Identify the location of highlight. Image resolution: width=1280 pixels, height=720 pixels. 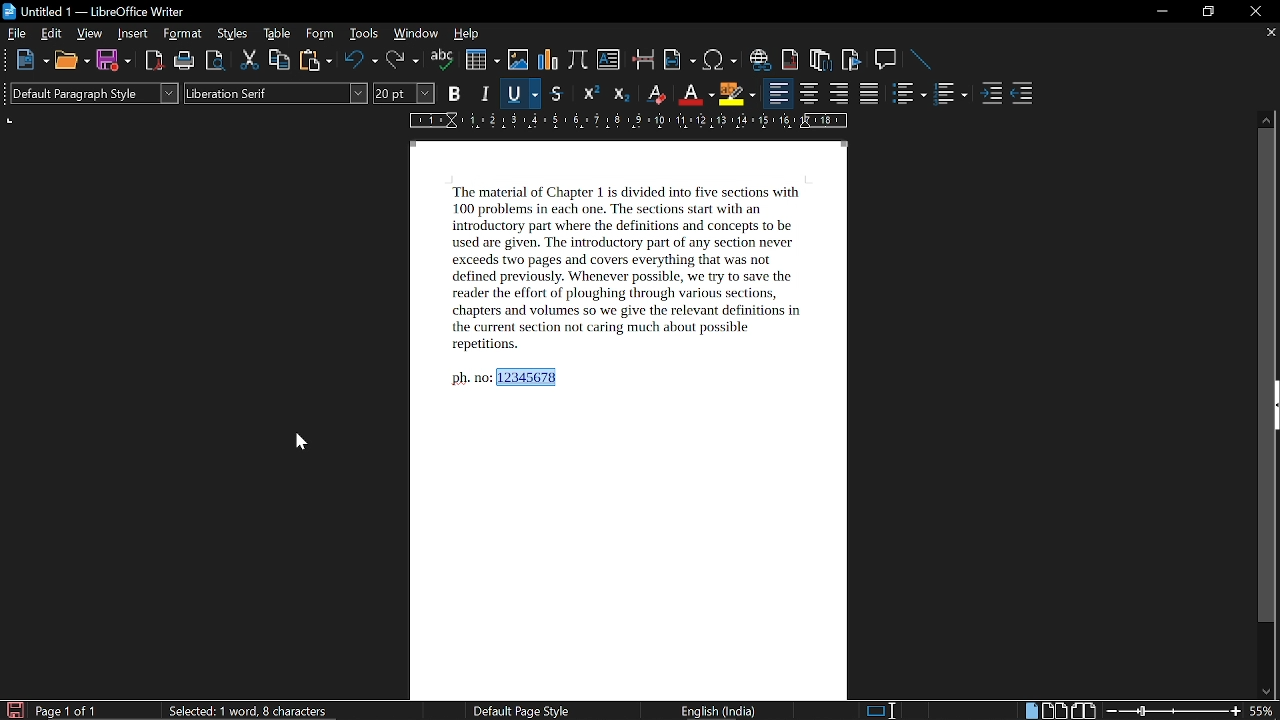
(737, 94).